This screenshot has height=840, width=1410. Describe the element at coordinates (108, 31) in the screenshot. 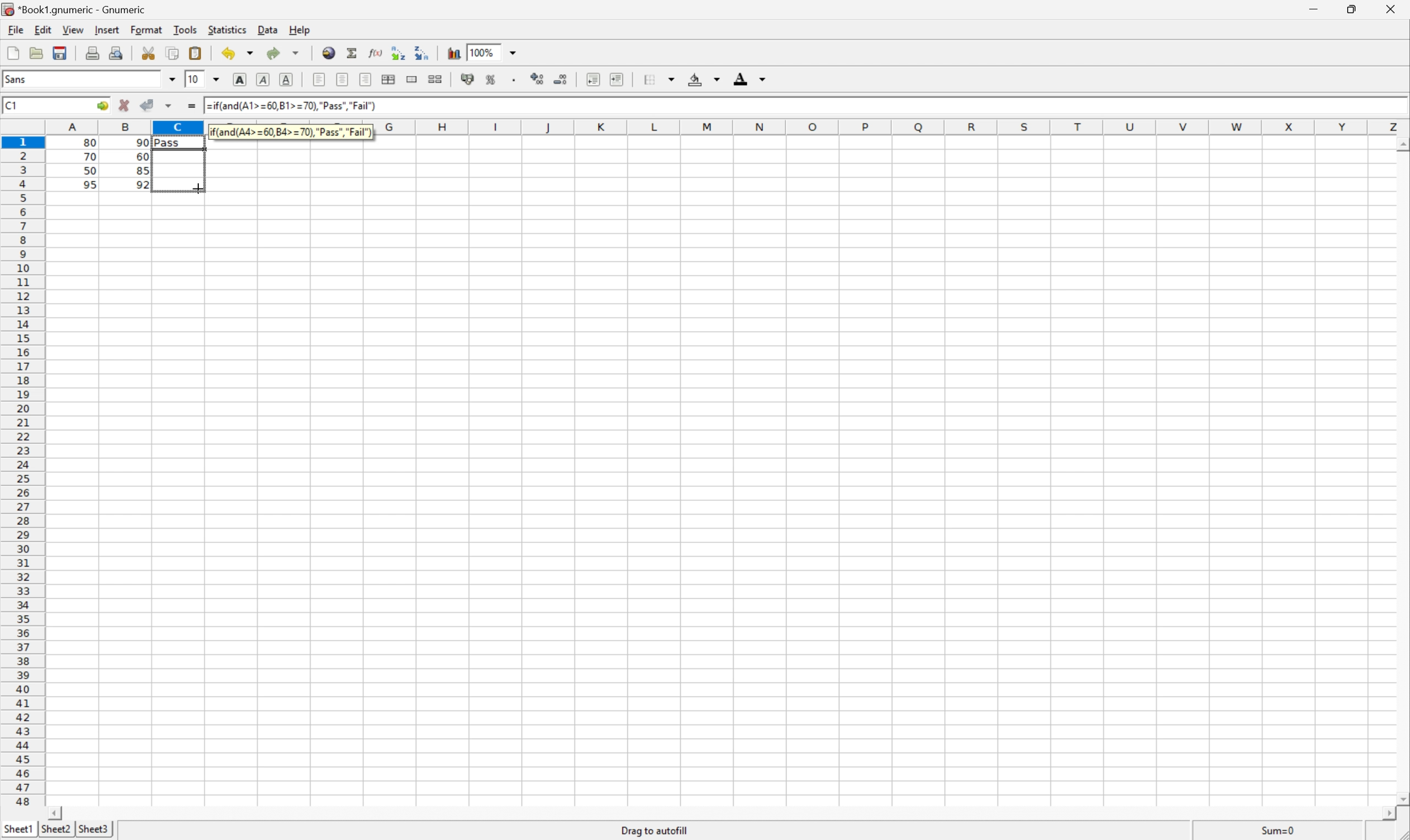

I see `Insert` at that location.